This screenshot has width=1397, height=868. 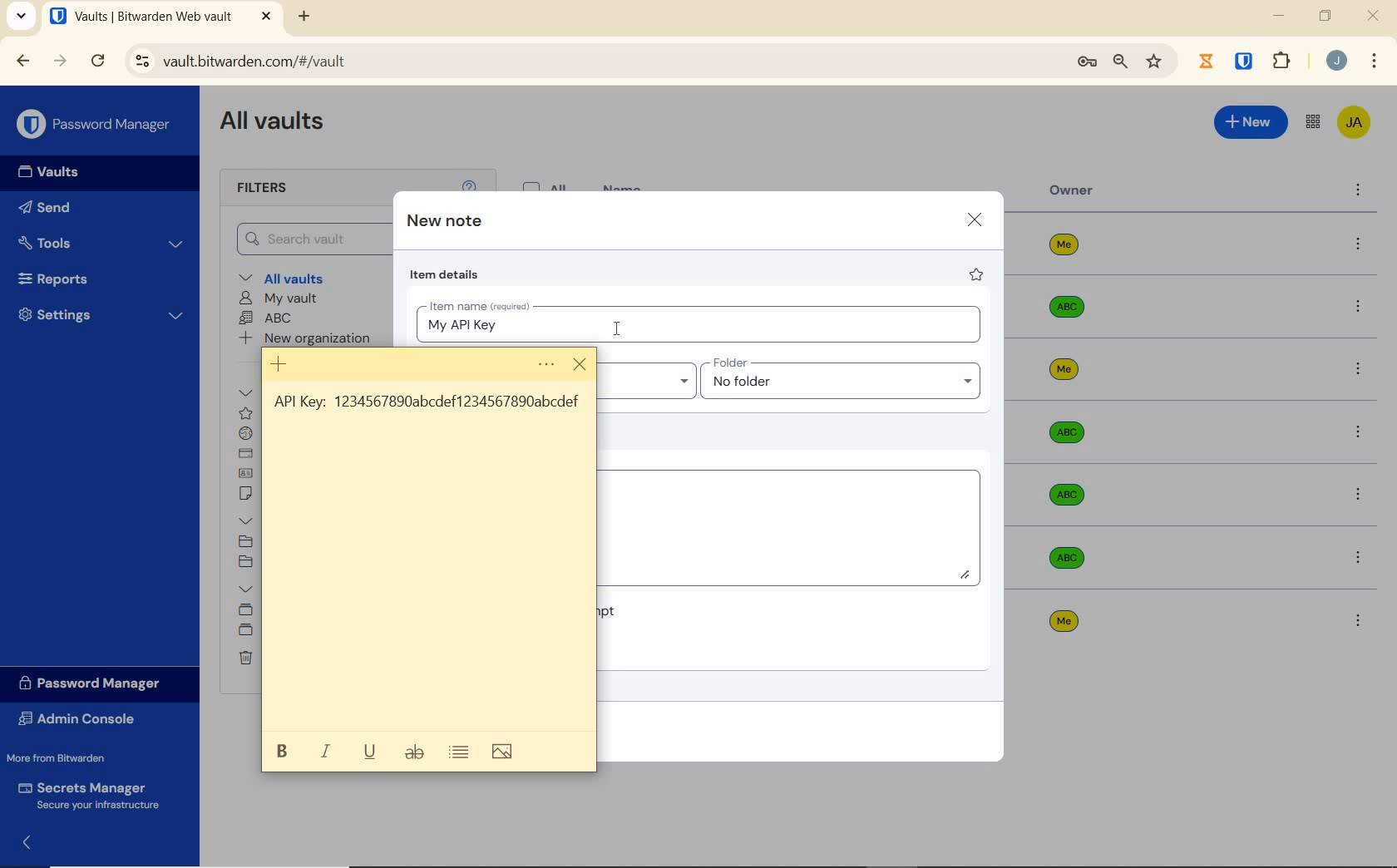 I want to click on Filters, so click(x=265, y=189).